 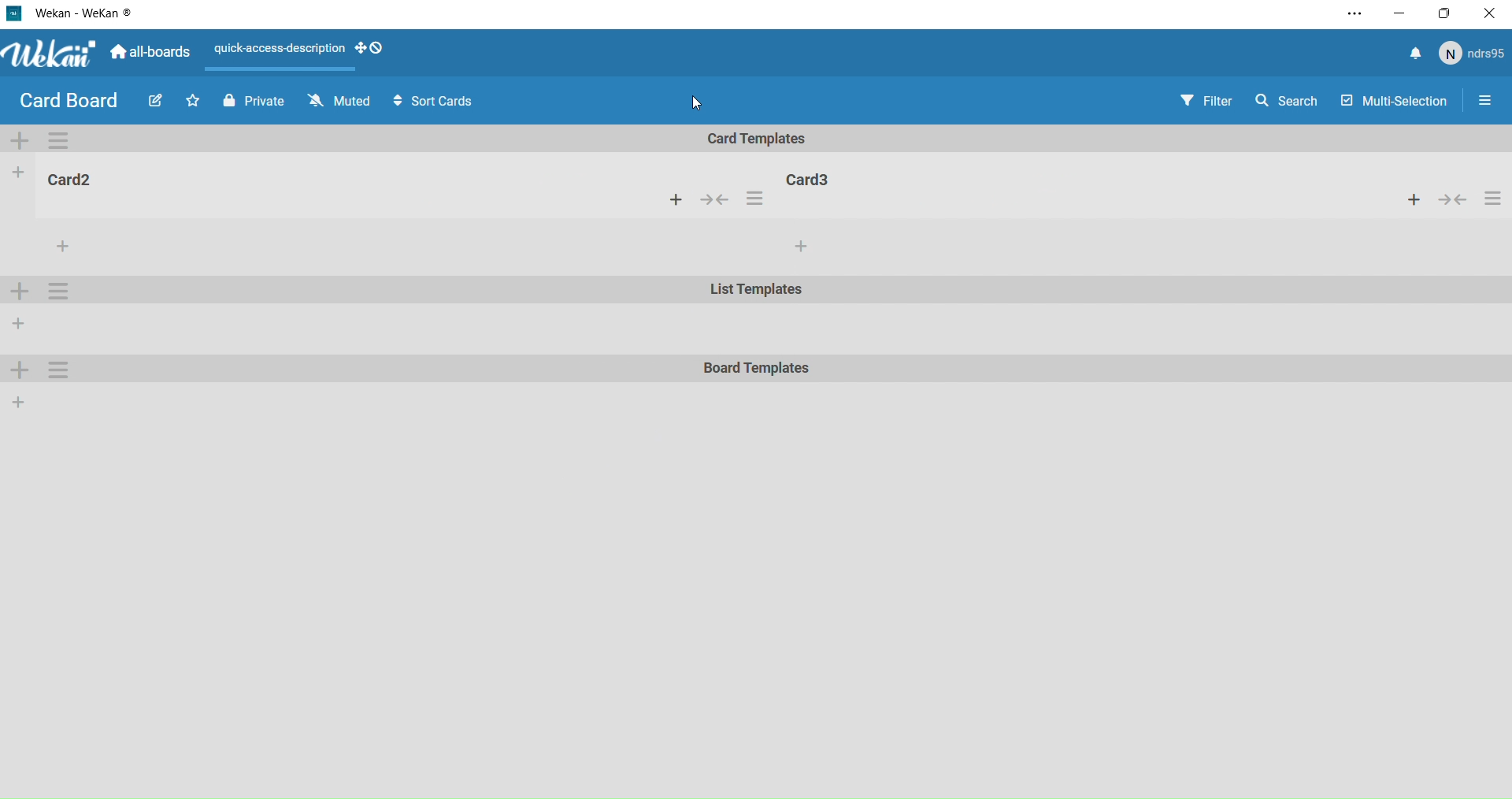 I want to click on all boards, so click(x=150, y=57).